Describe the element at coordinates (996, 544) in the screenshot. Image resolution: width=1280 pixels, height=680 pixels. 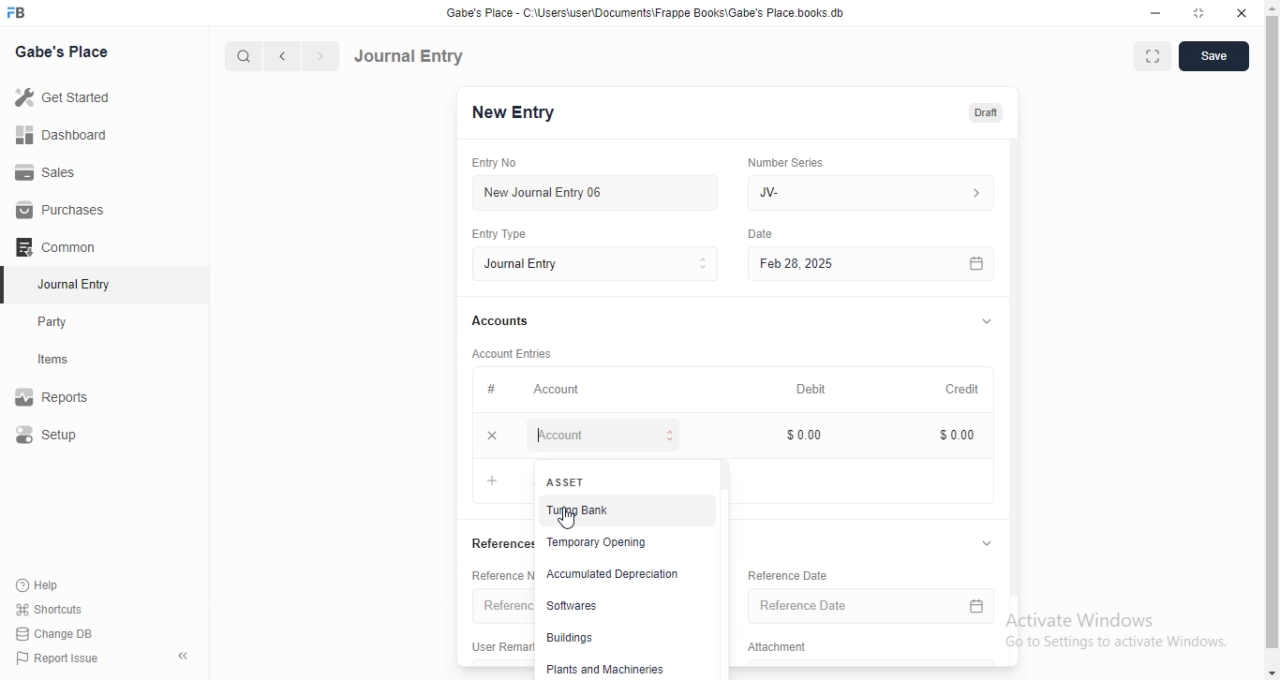
I see `collapse` at that location.